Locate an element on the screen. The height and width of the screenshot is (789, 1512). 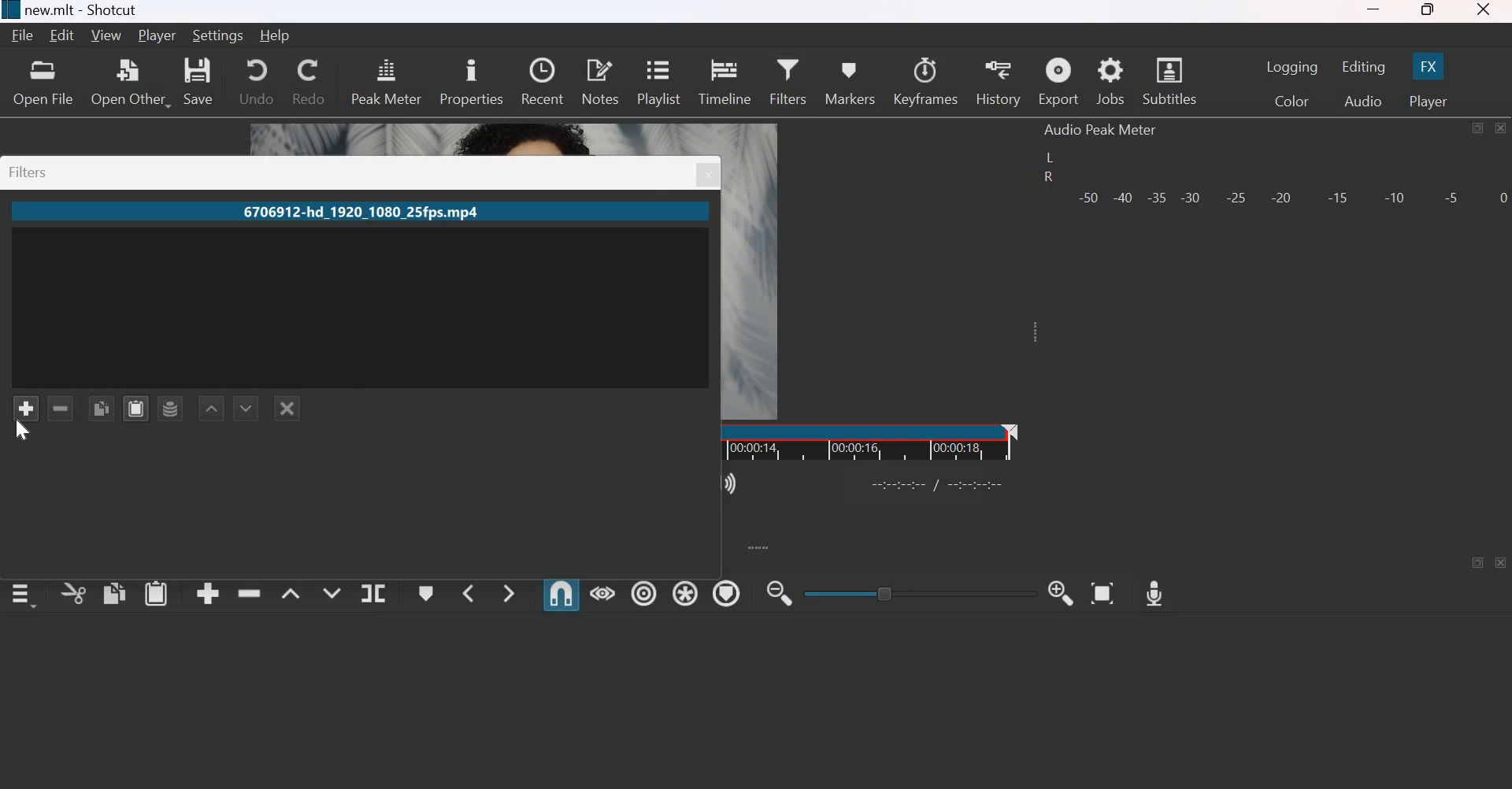
 is located at coordinates (939, 483).